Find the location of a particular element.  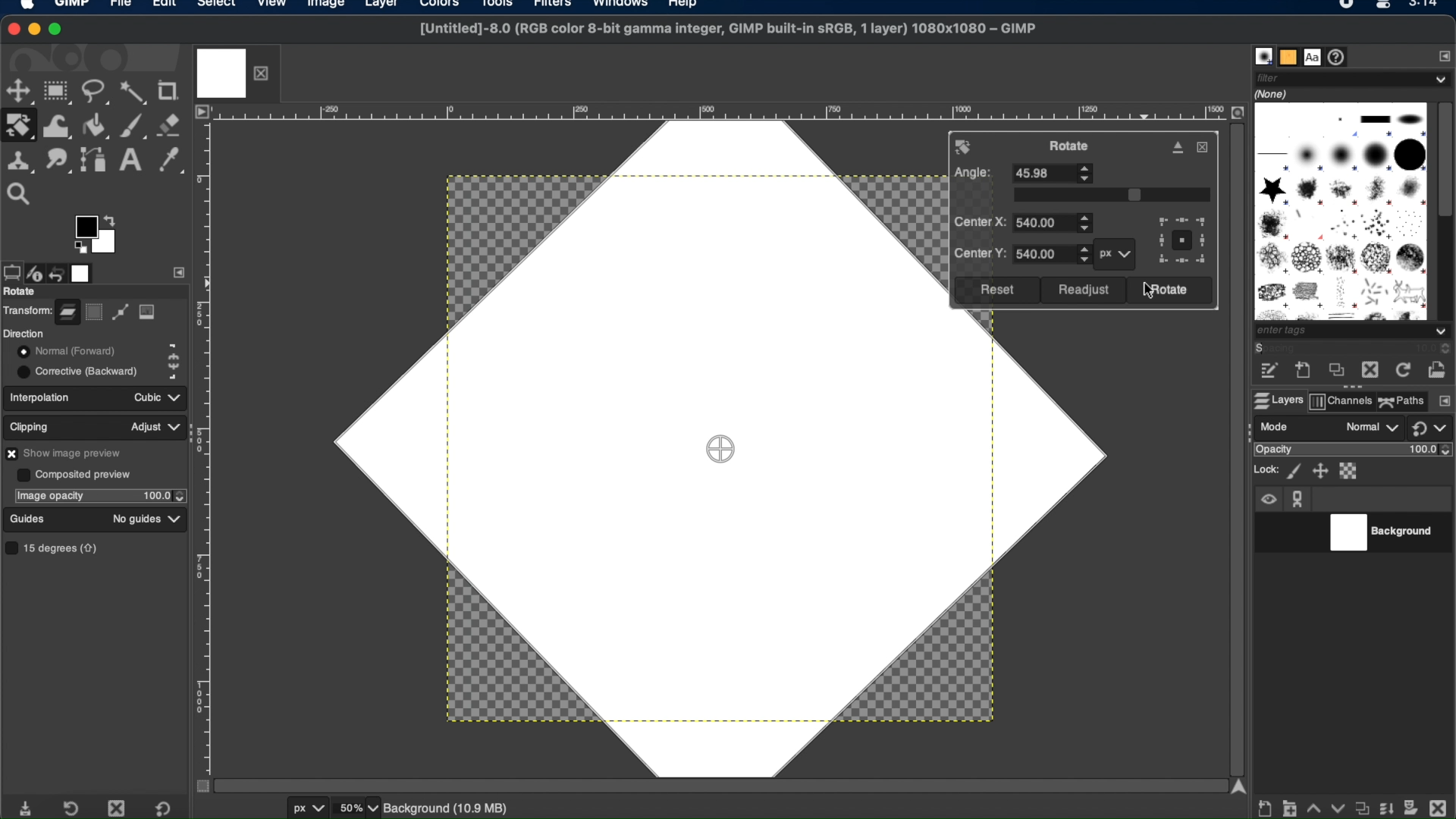

delete tool preset is located at coordinates (118, 808).